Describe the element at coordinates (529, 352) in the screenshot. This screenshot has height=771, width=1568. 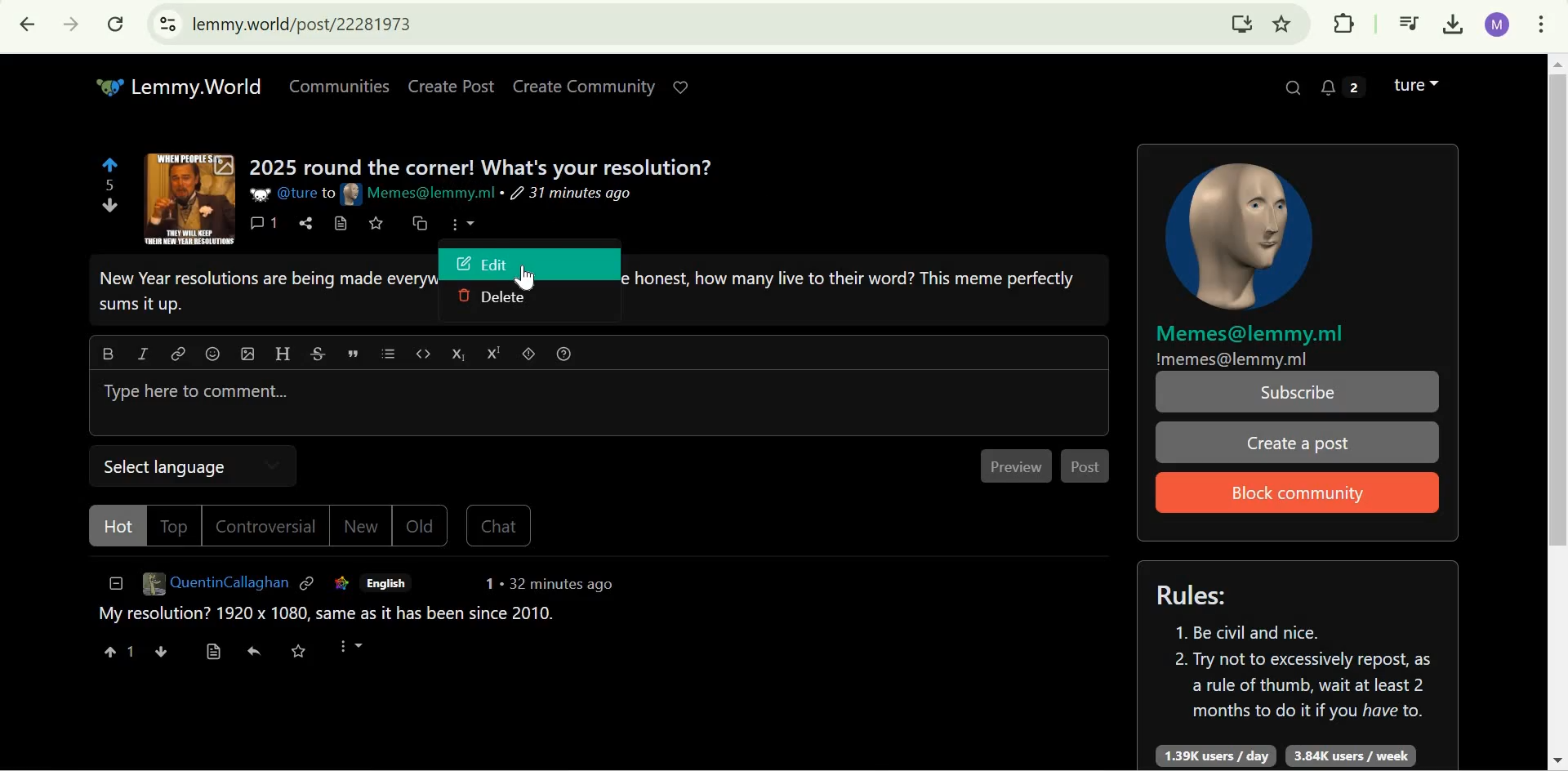
I see `spoiler` at that location.